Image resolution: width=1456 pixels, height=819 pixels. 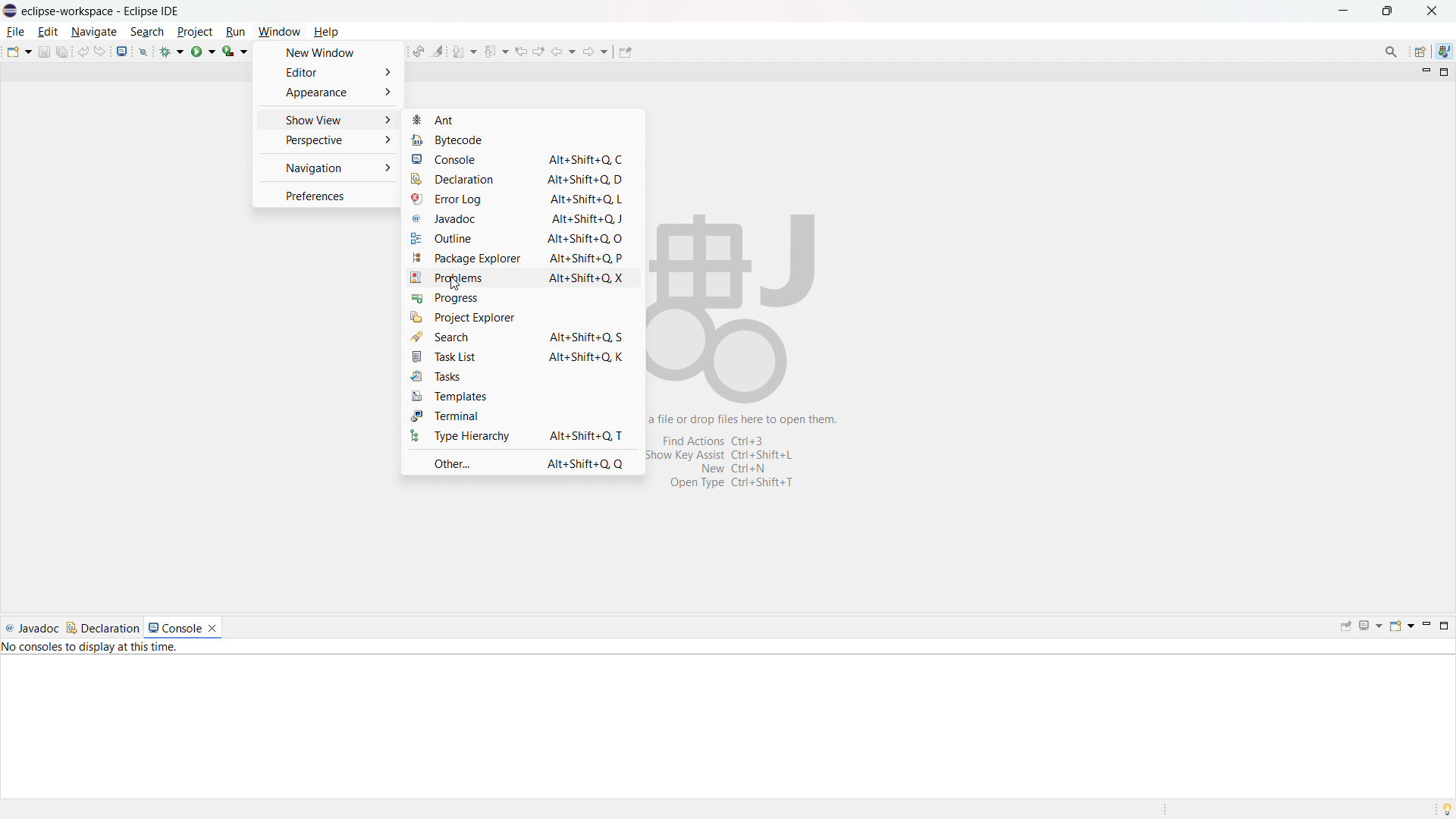 What do you see at coordinates (1431, 11) in the screenshot?
I see `close` at bounding box center [1431, 11].